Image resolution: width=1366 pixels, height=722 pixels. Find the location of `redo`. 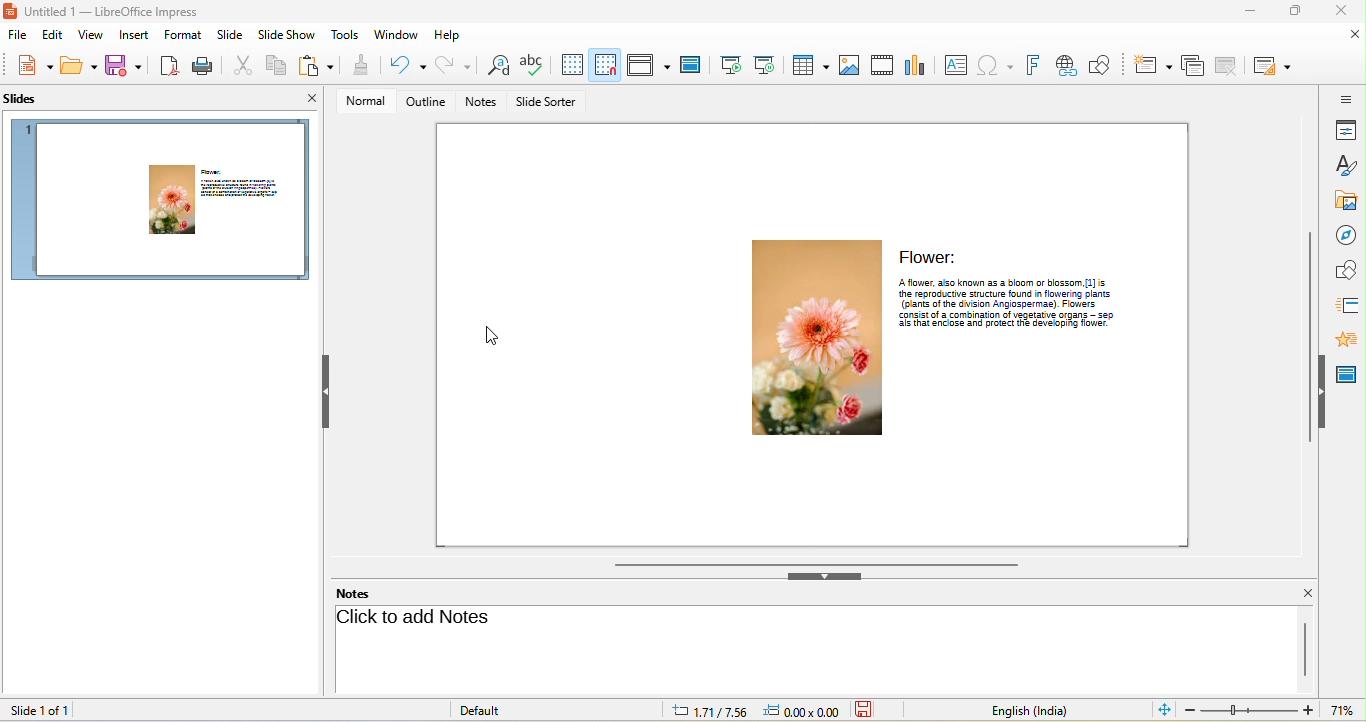

redo is located at coordinates (455, 66).